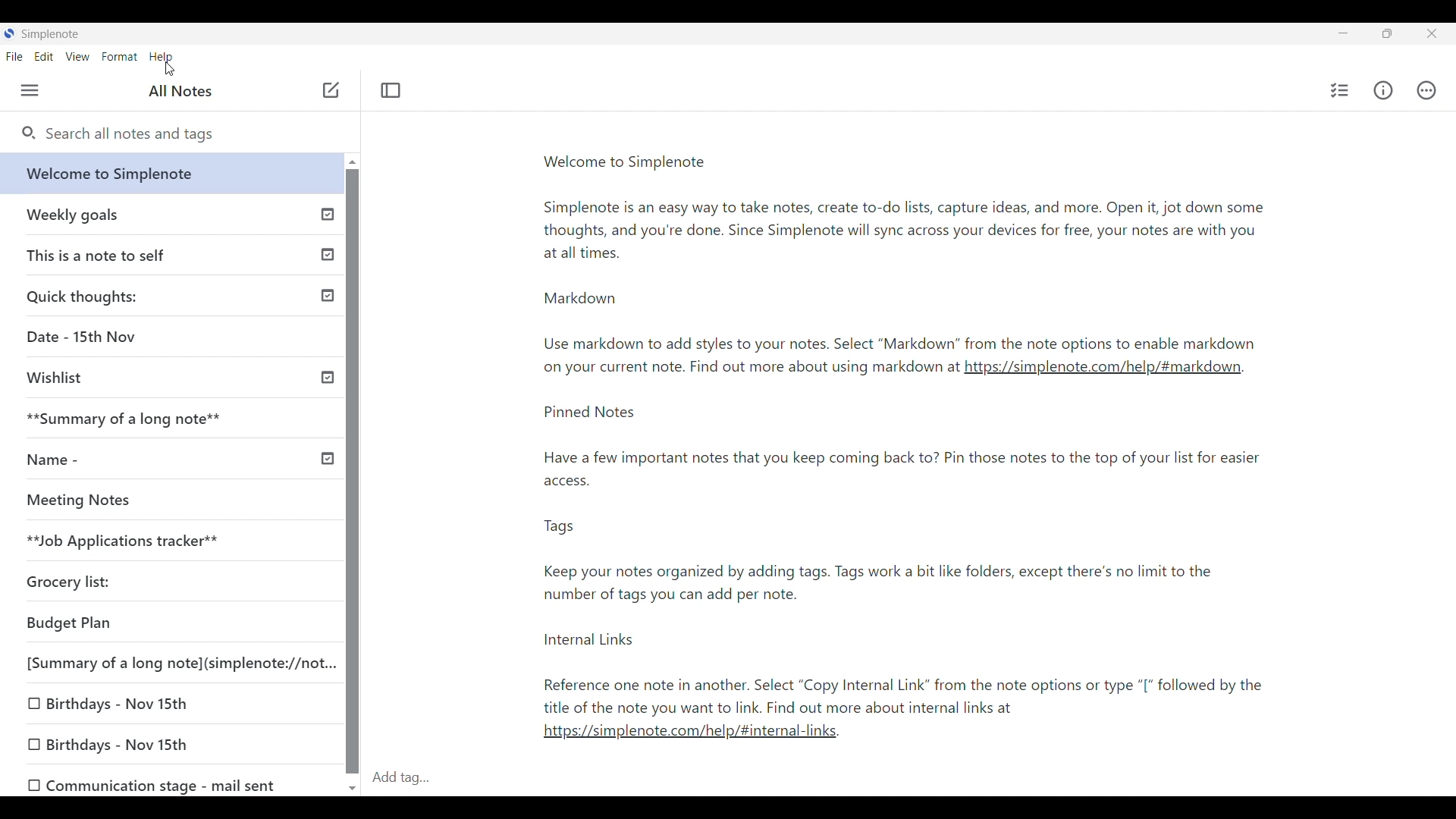  Describe the element at coordinates (322, 295) in the screenshot. I see `Published` at that location.